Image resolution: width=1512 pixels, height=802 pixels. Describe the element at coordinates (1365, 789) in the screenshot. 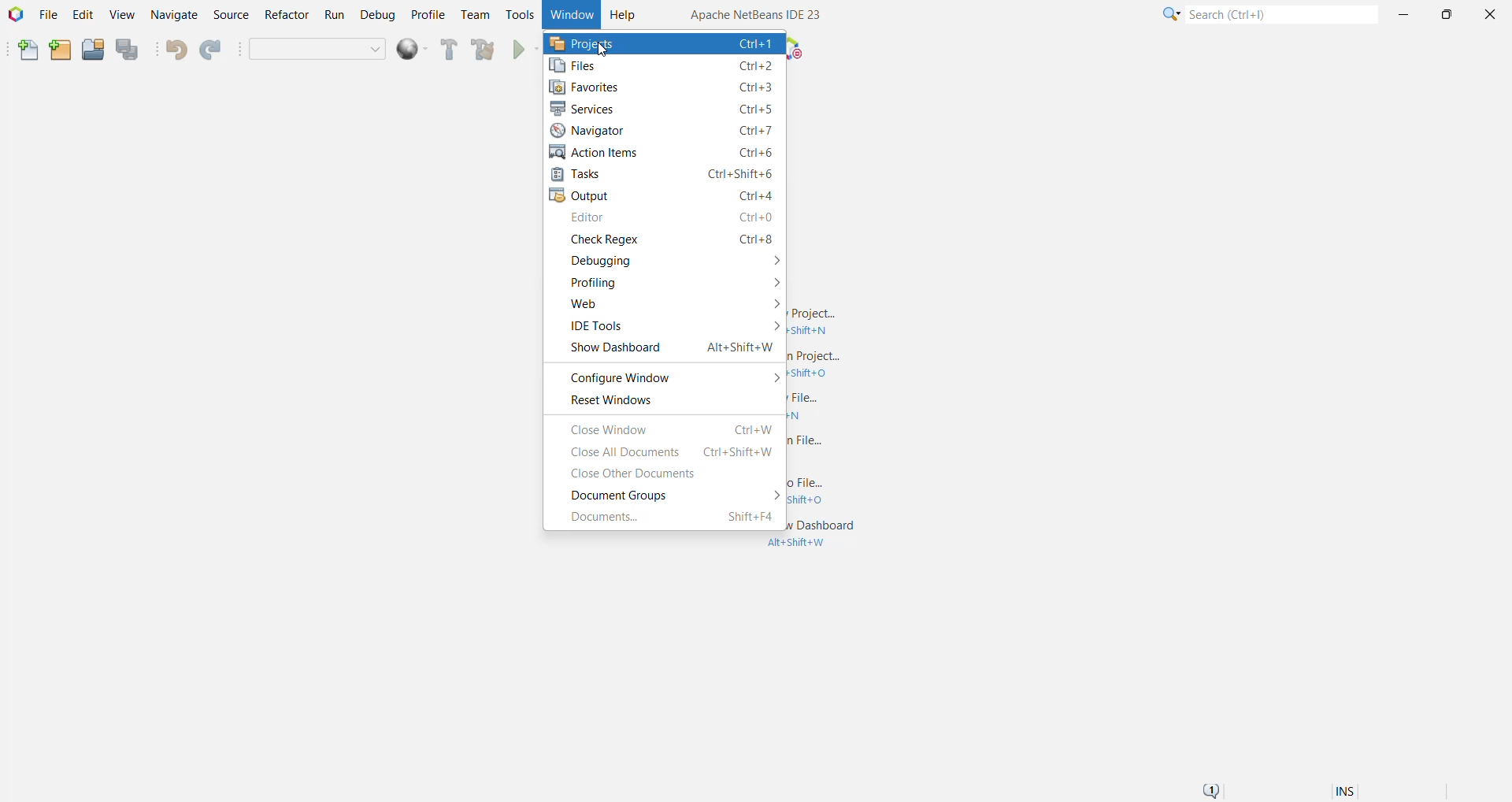

I see `Encoding` at that location.